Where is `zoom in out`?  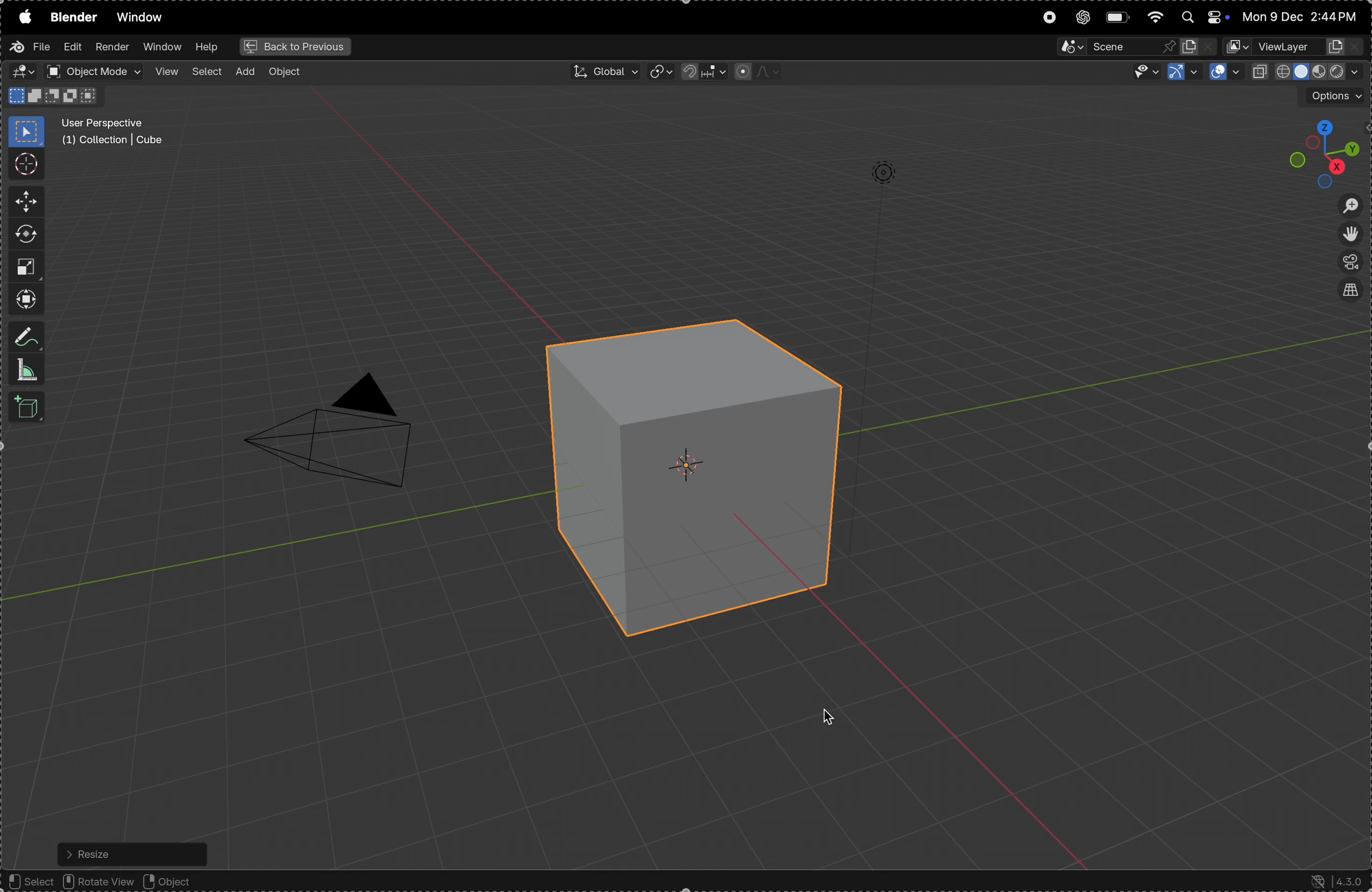 zoom in out is located at coordinates (1350, 205).